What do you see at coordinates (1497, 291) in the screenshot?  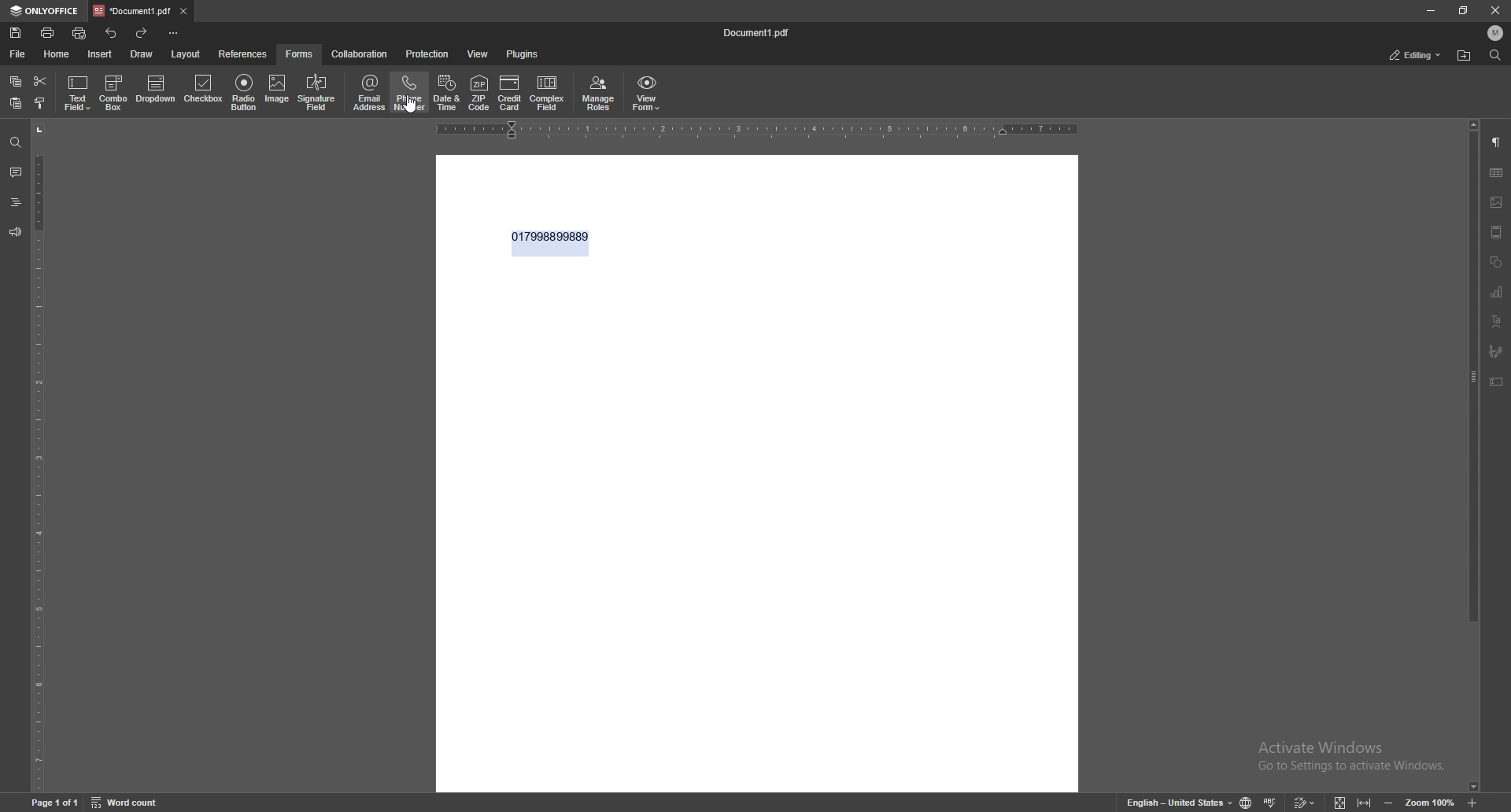 I see `chart` at bounding box center [1497, 291].